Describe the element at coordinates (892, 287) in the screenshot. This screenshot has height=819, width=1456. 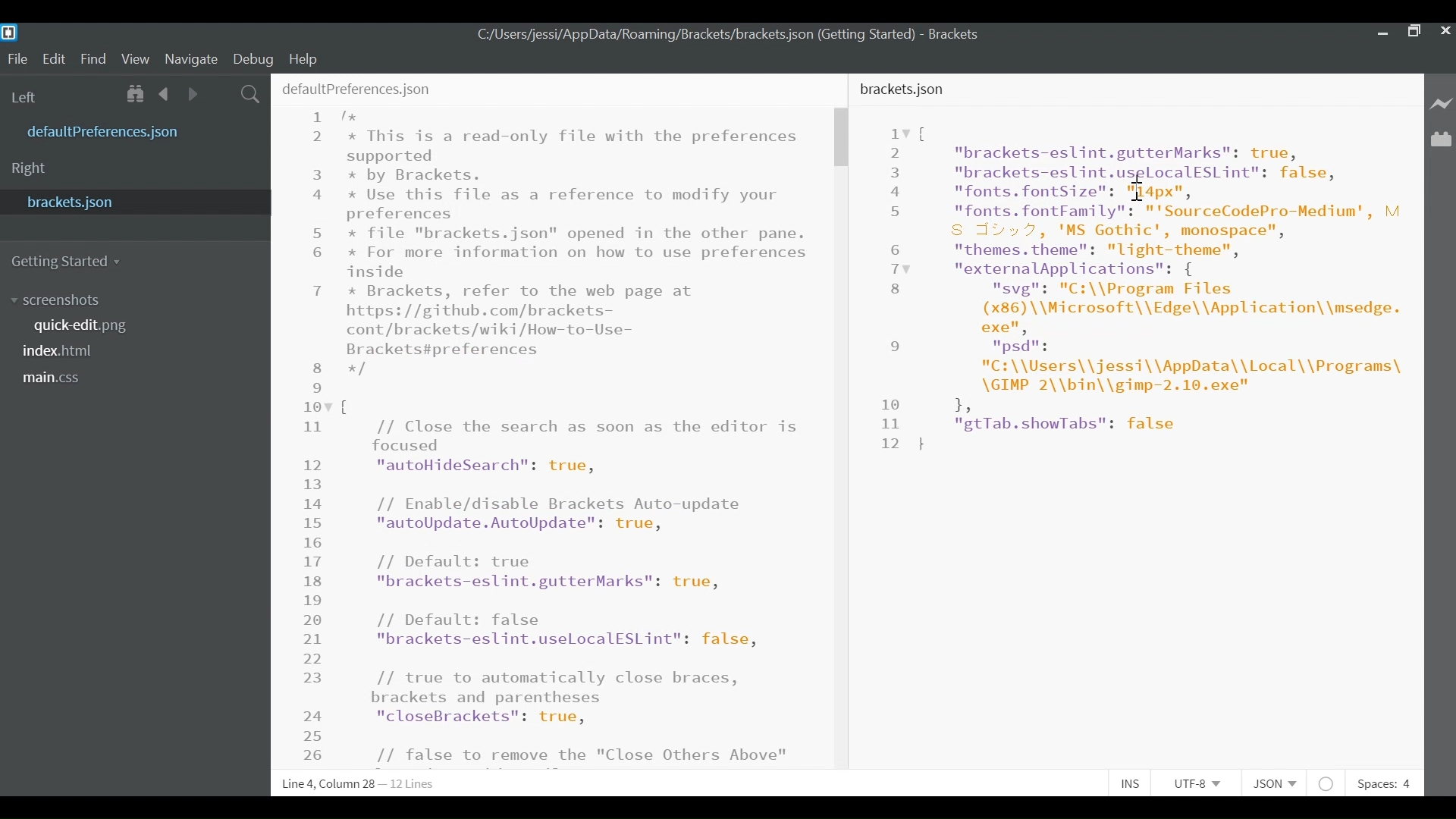
I see `Line Number` at that location.